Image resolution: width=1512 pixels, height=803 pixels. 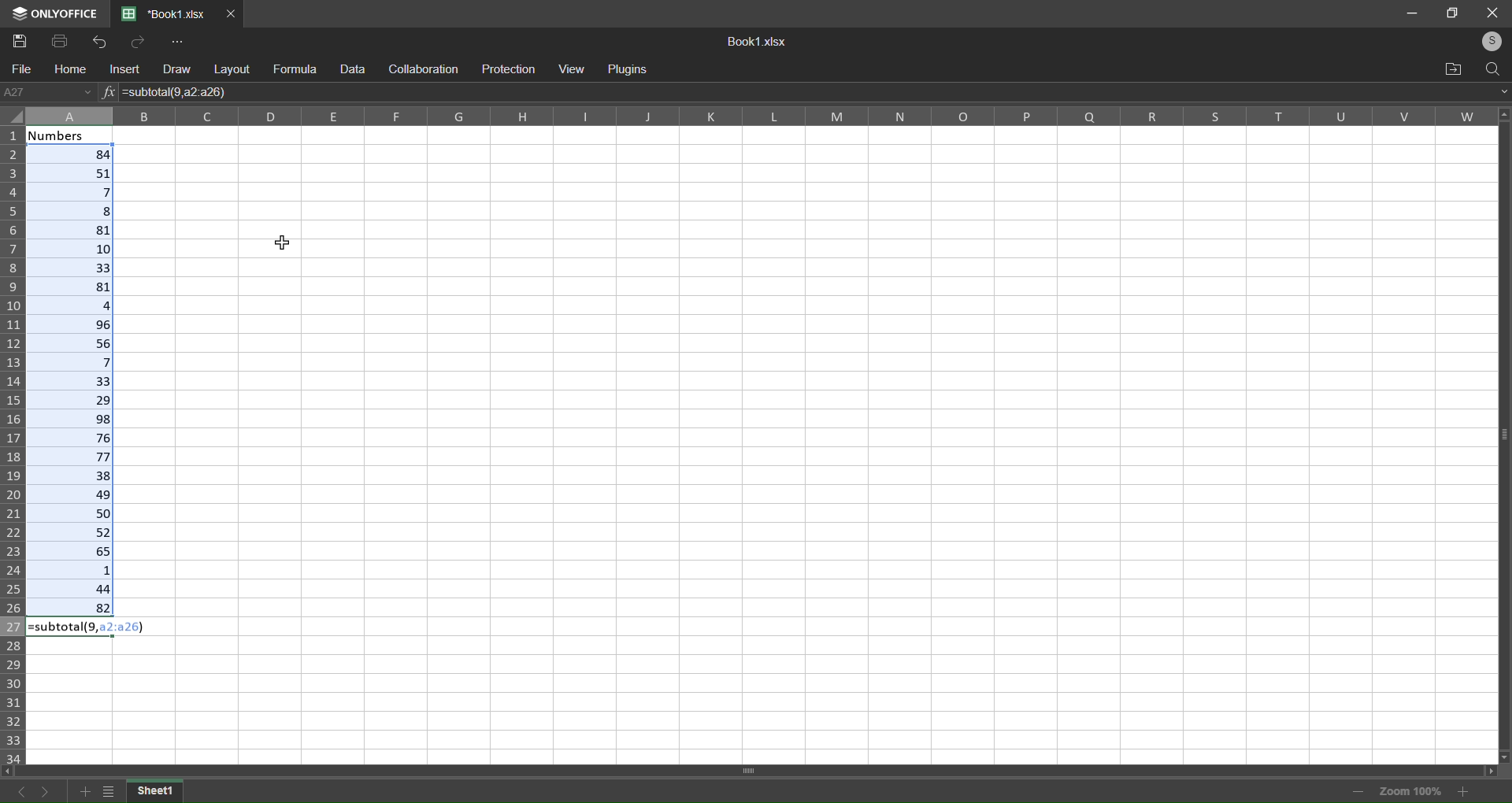 I want to click on Row label, so click(x=14, y=445).